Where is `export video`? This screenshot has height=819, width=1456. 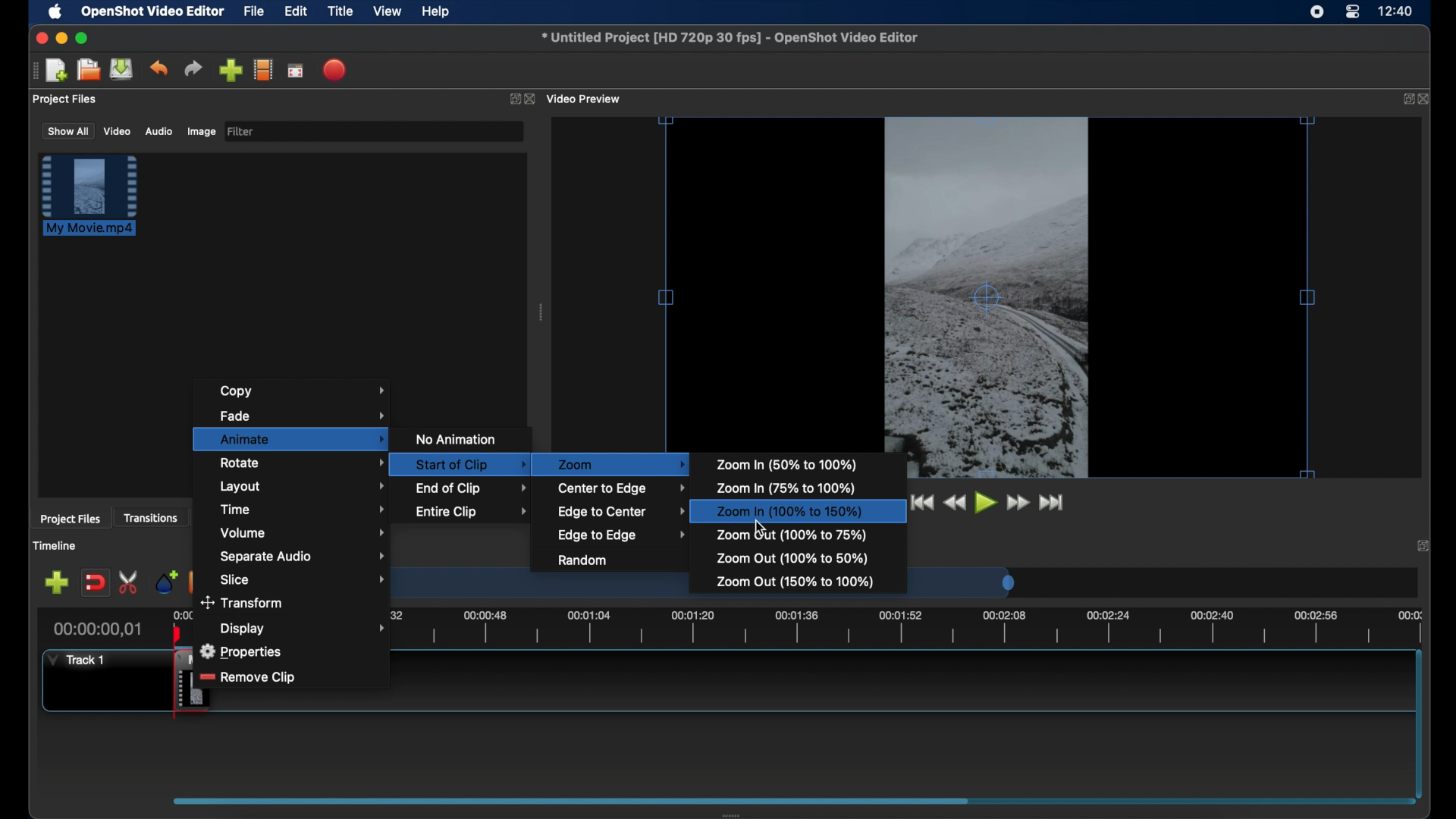
export video is located at coordinates (336, 70).